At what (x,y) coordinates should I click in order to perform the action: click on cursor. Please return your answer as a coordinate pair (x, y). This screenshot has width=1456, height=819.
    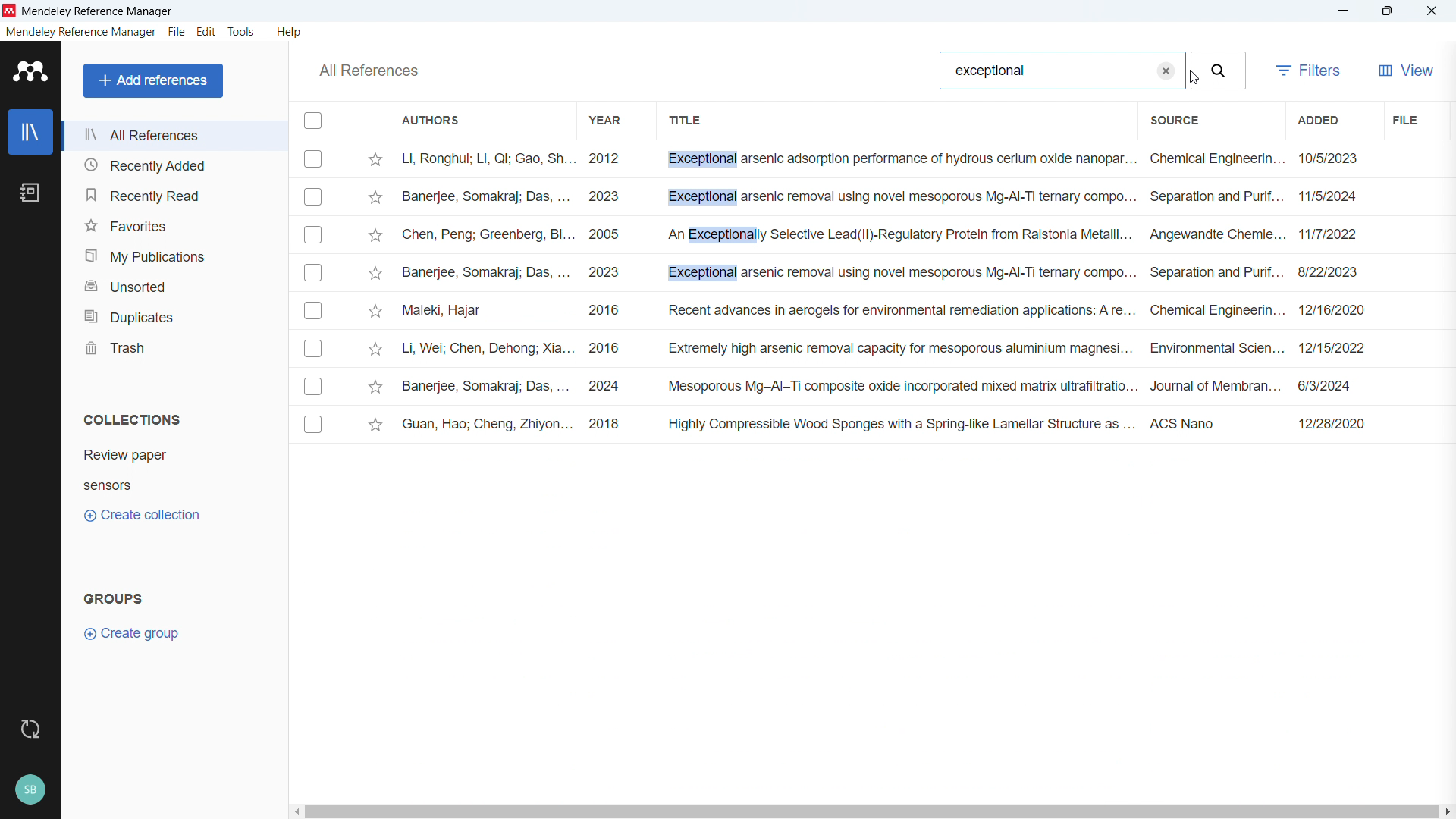
    Looking at the image, I should click on (1192, 79).